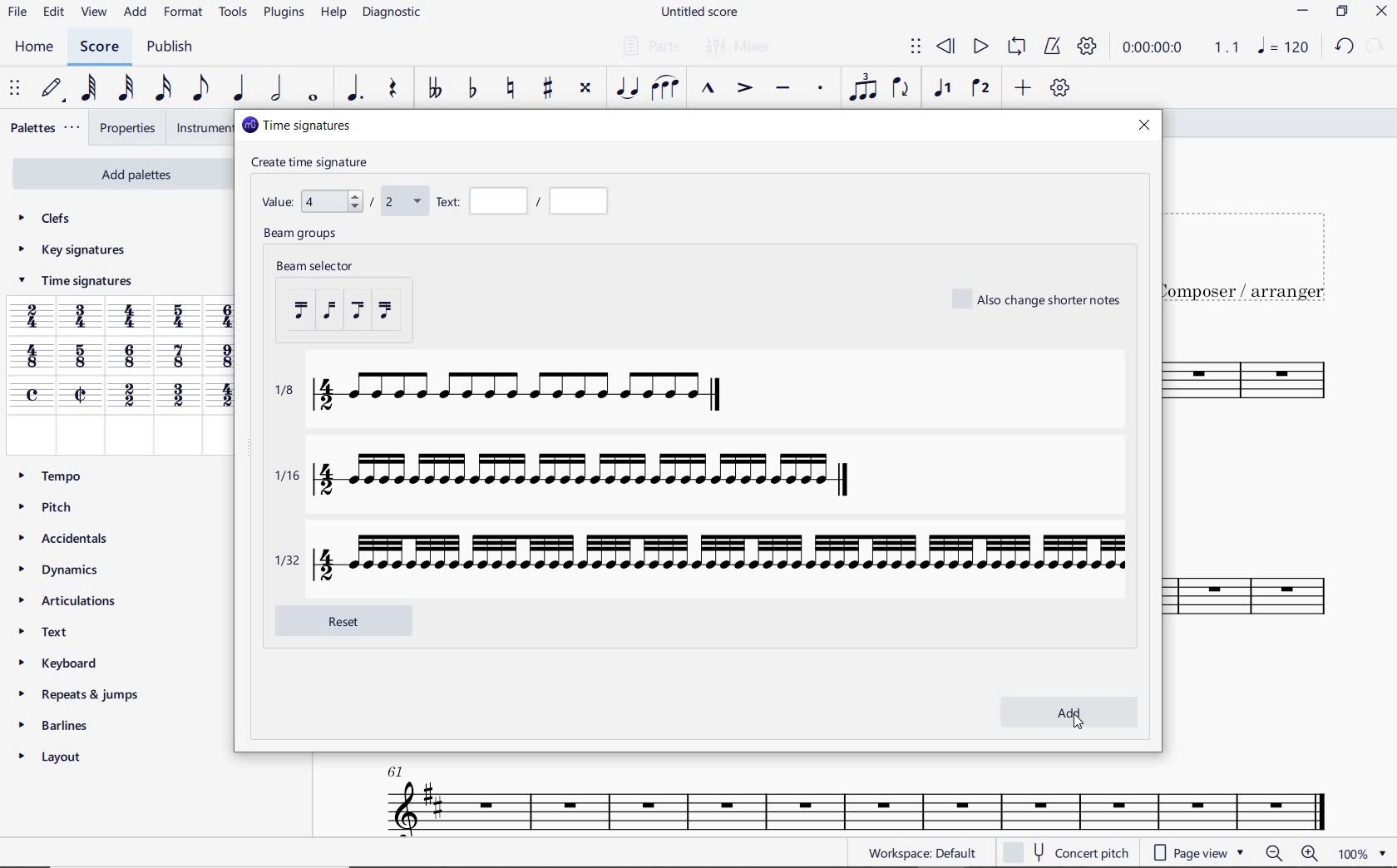 This screenshot has height=868, width=1397. What do you see at coordinates (1303, 11) in the screenshot?
I see `MINIMIZE` at bounding box center [1303, 11].